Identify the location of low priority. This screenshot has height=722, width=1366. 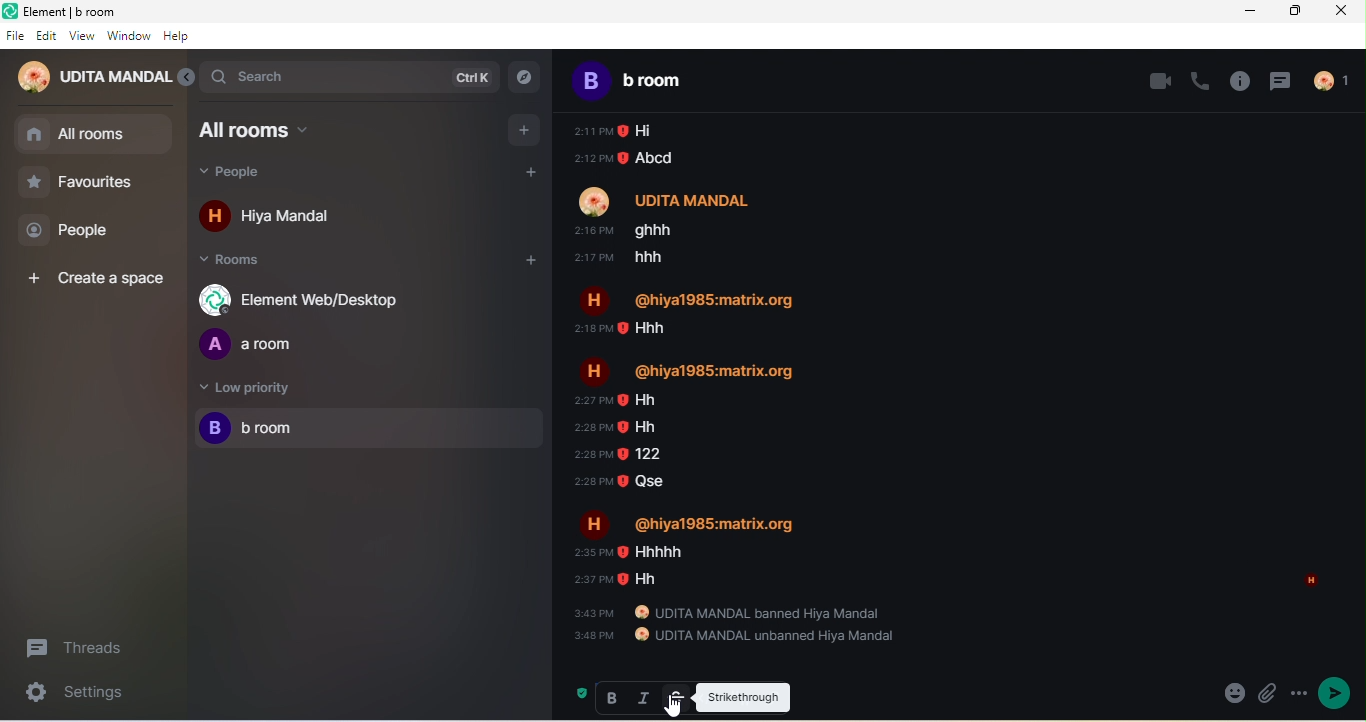
(247, 391).